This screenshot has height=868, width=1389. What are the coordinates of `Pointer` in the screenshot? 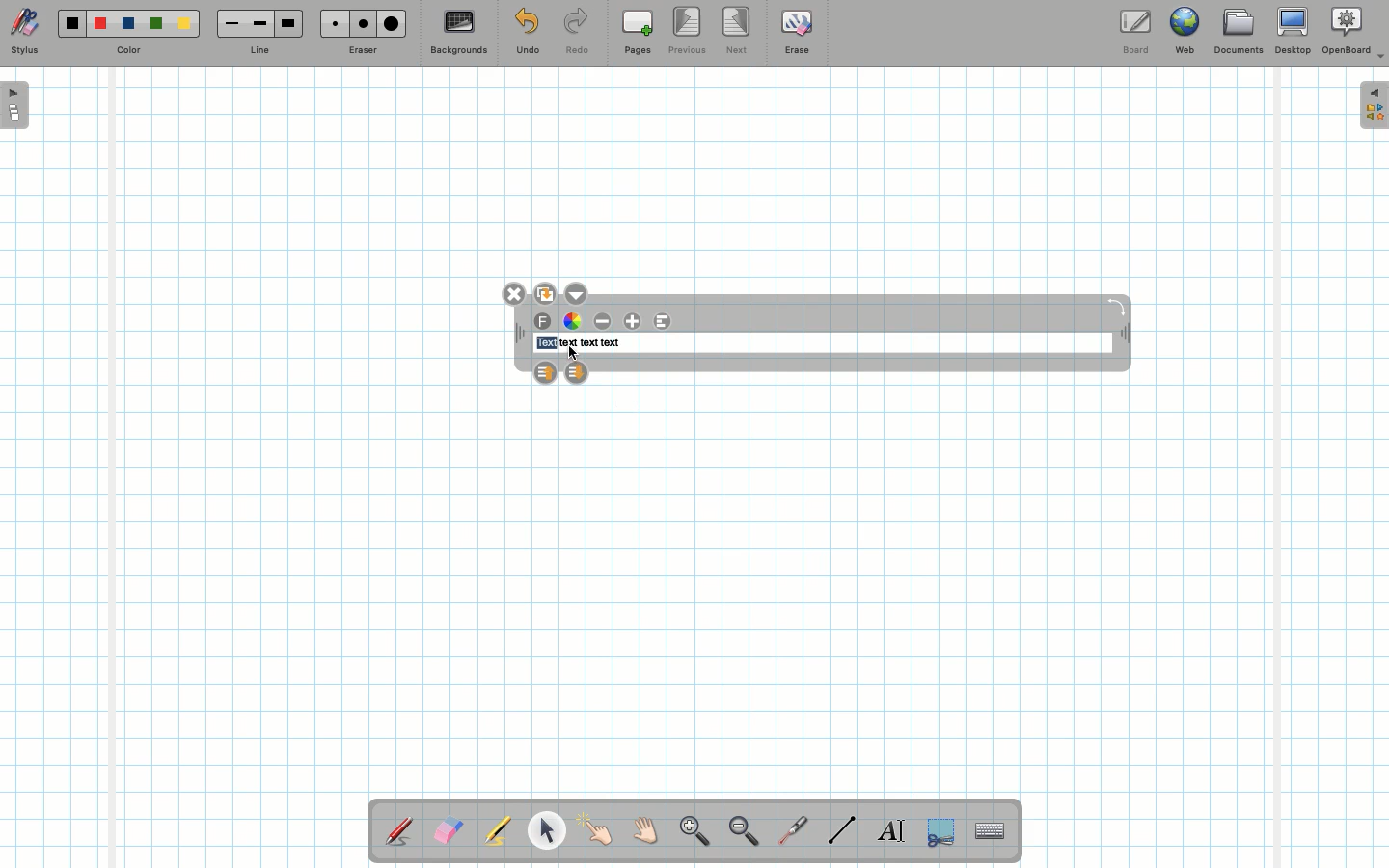 It's located at (596, 830).